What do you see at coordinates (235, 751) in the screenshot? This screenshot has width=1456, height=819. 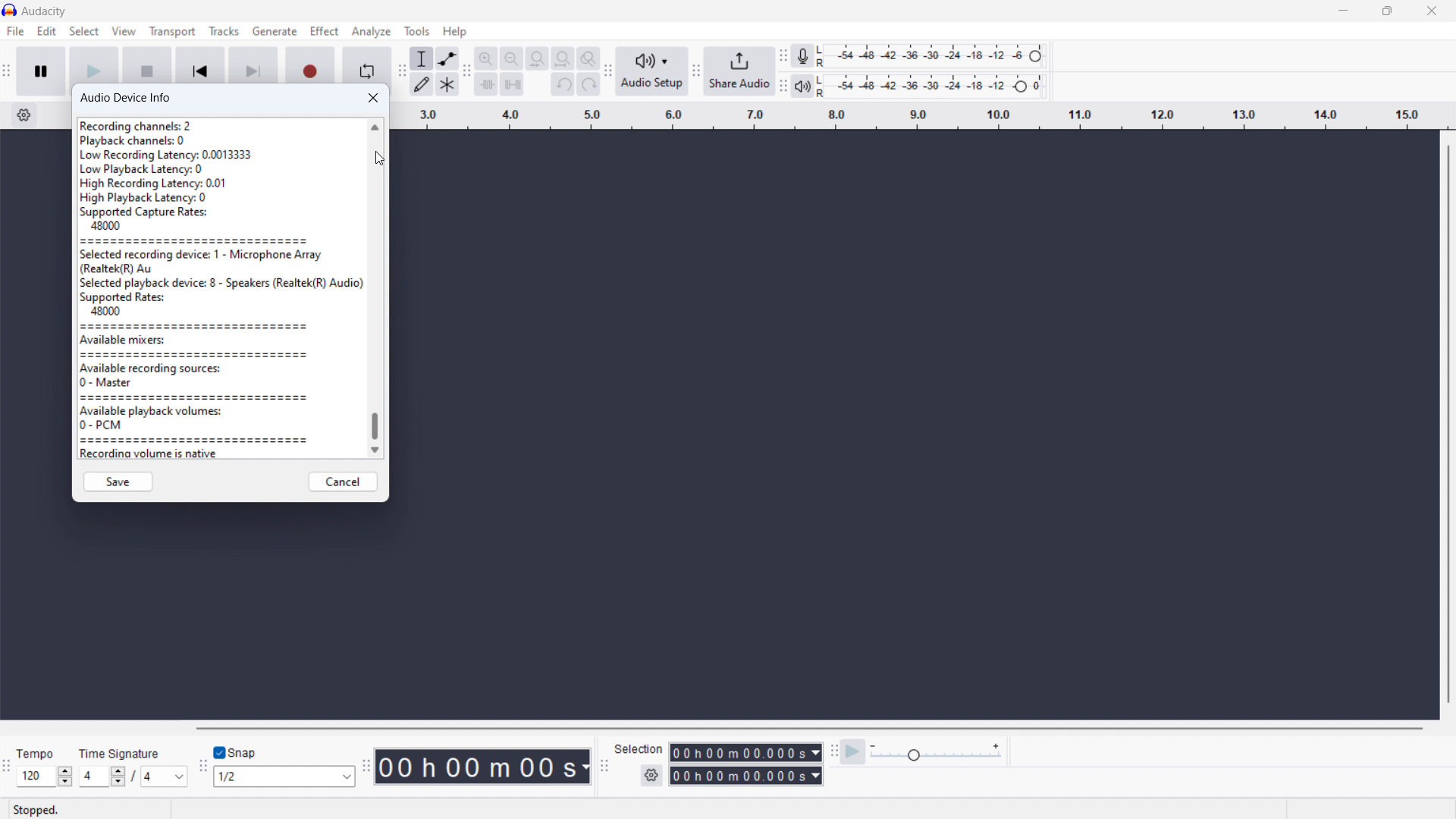 I see `toggle snap` at bounding box center [235, 751].